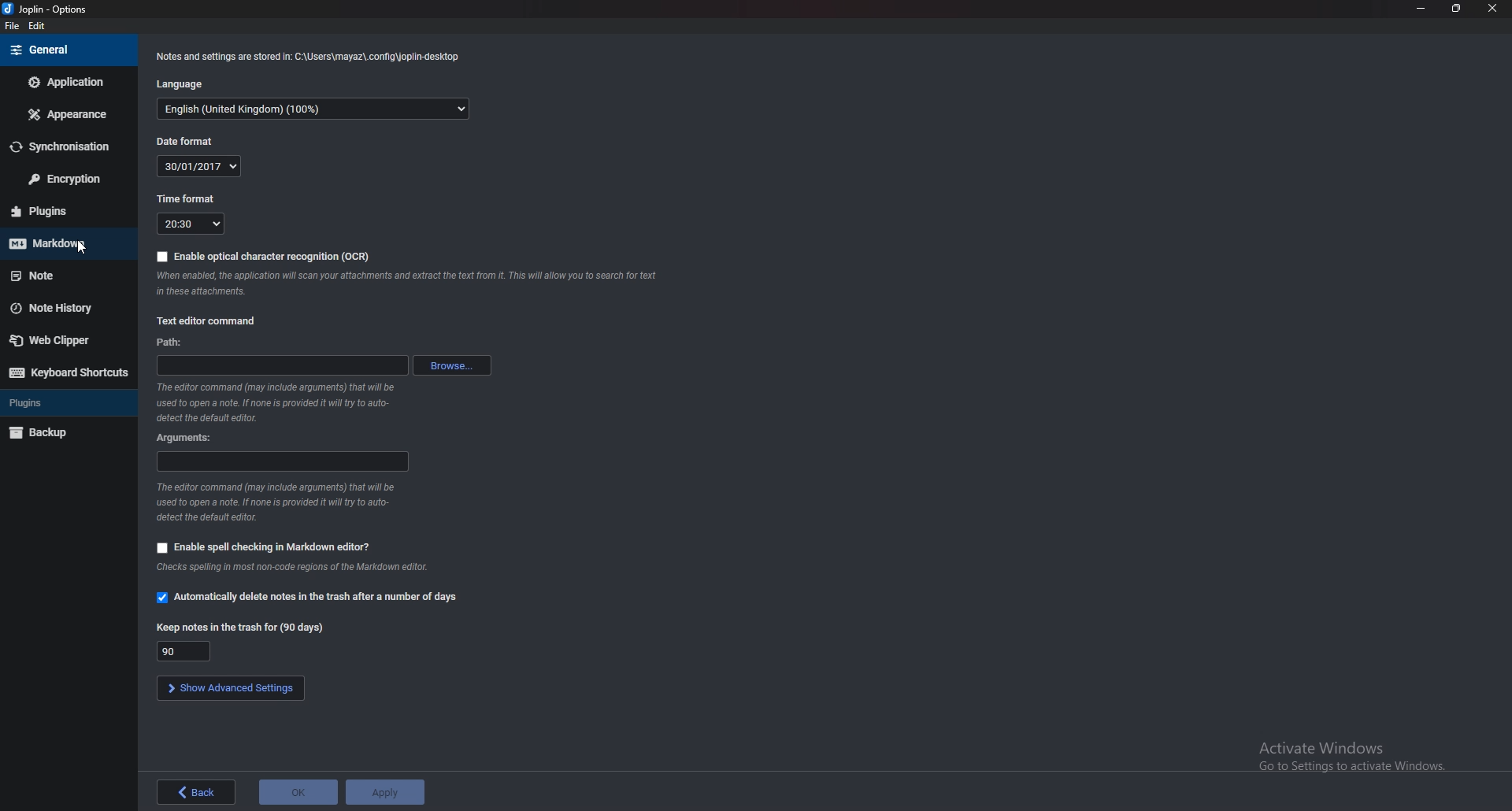 The width and height of the screenshot is (1512, 811). What do you see at coordinates (61, 243) in the screenshot?
I see `markdown` at bounding box center [61, 243].